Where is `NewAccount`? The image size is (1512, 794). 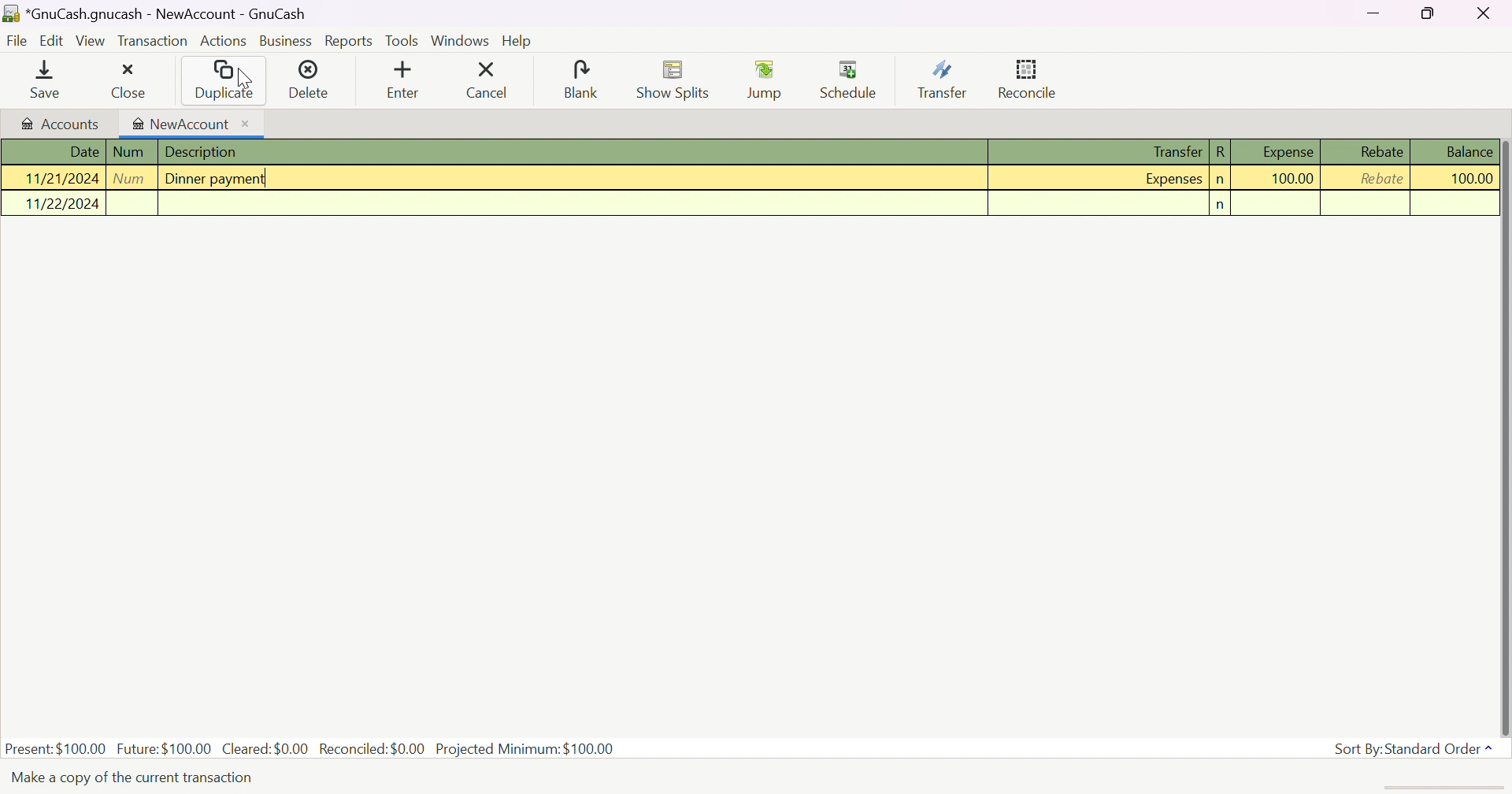 NewAccount is located at coordinates (191, 124).